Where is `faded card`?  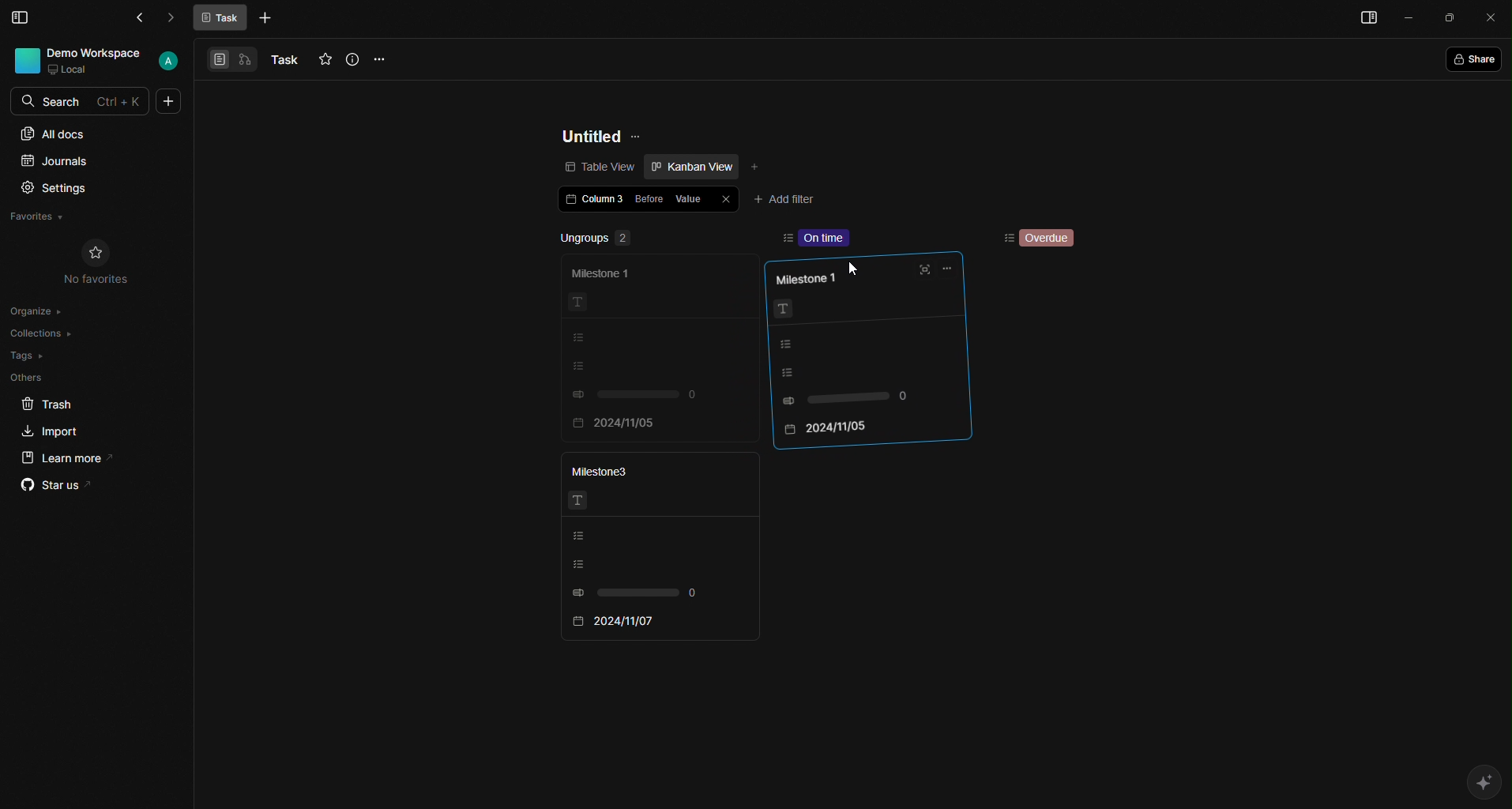 faded card is located at coordinates (653, 355).